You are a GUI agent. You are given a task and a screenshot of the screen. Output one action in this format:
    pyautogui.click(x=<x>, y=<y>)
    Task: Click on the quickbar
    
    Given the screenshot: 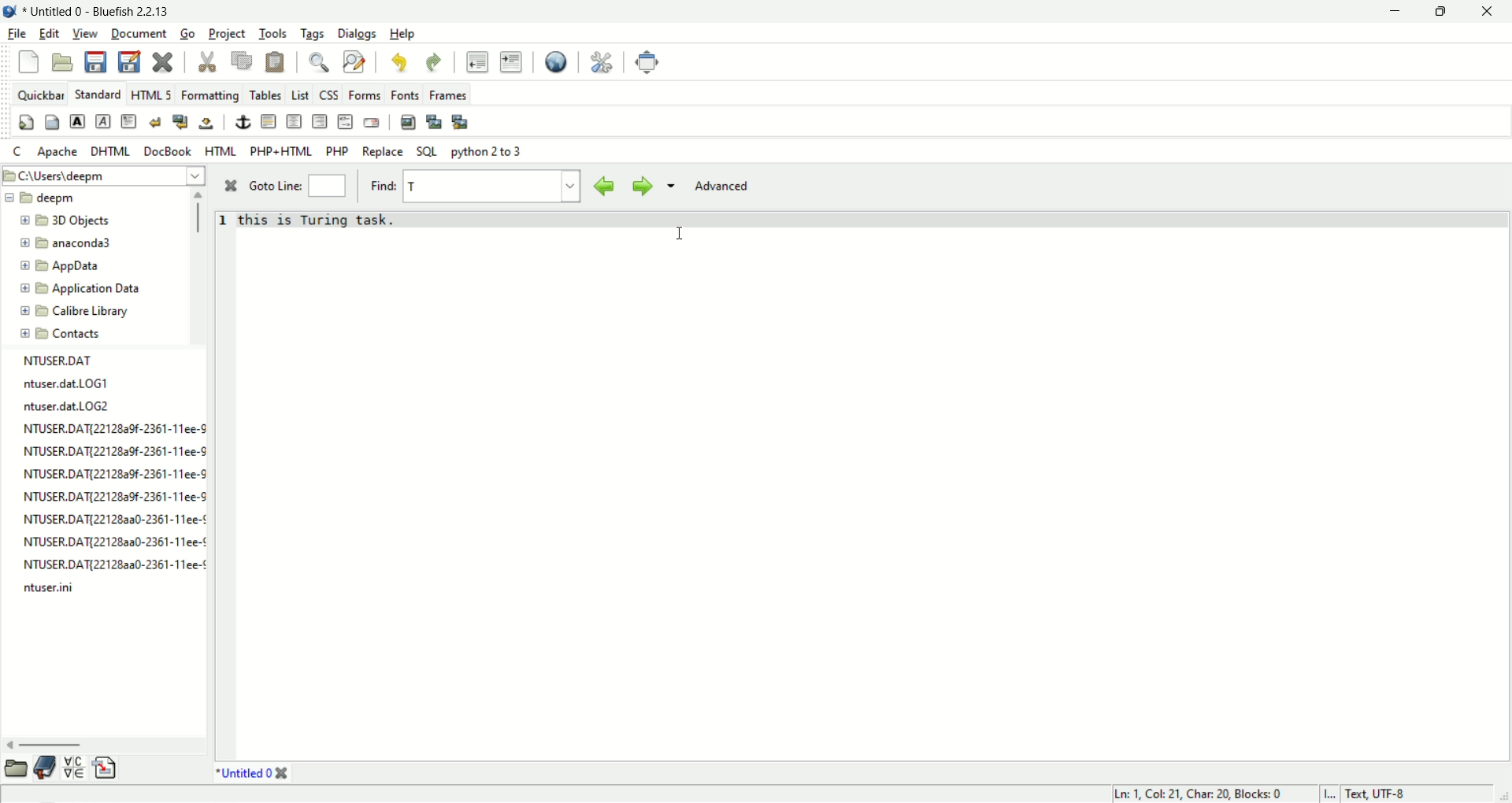 What is the action you would take?
    pyautogui.click(x=41, y=95)
    